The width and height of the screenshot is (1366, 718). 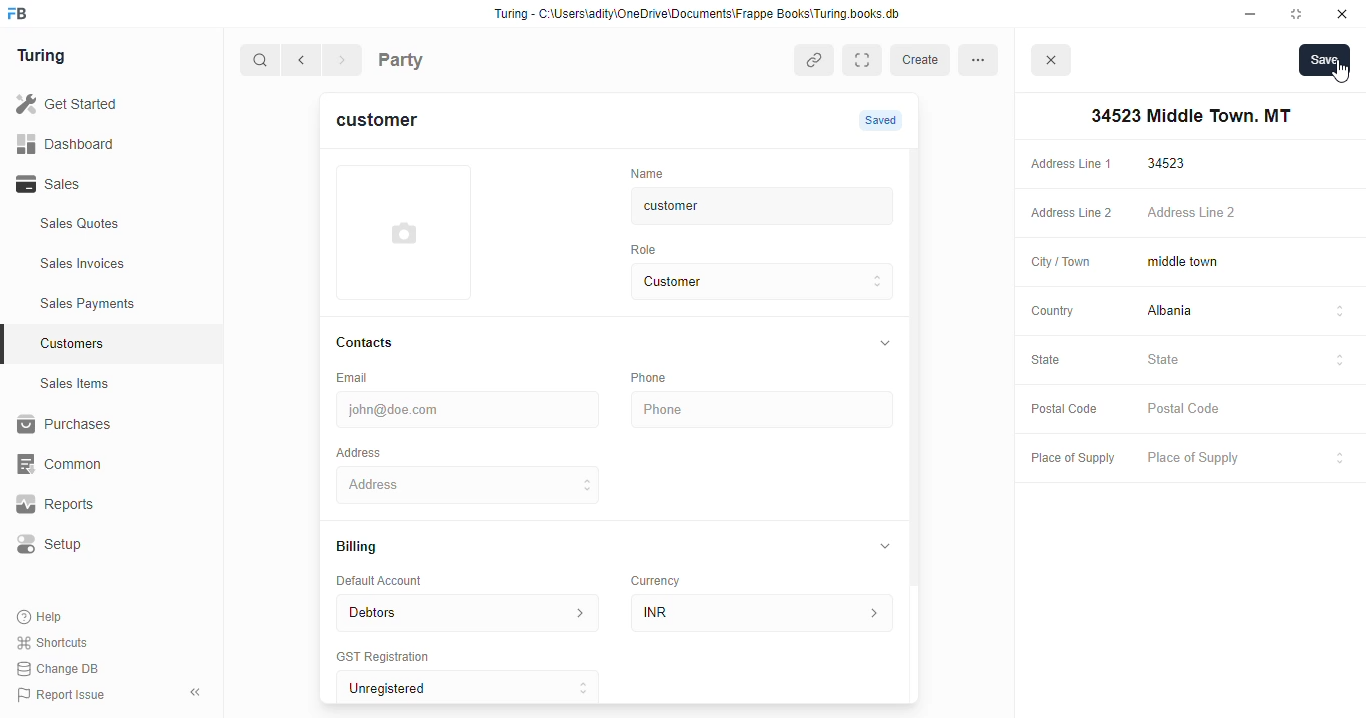 What do you see at coordinates (261, 62) in the screenshot?
I see `search` at bounding box center [261, 62].